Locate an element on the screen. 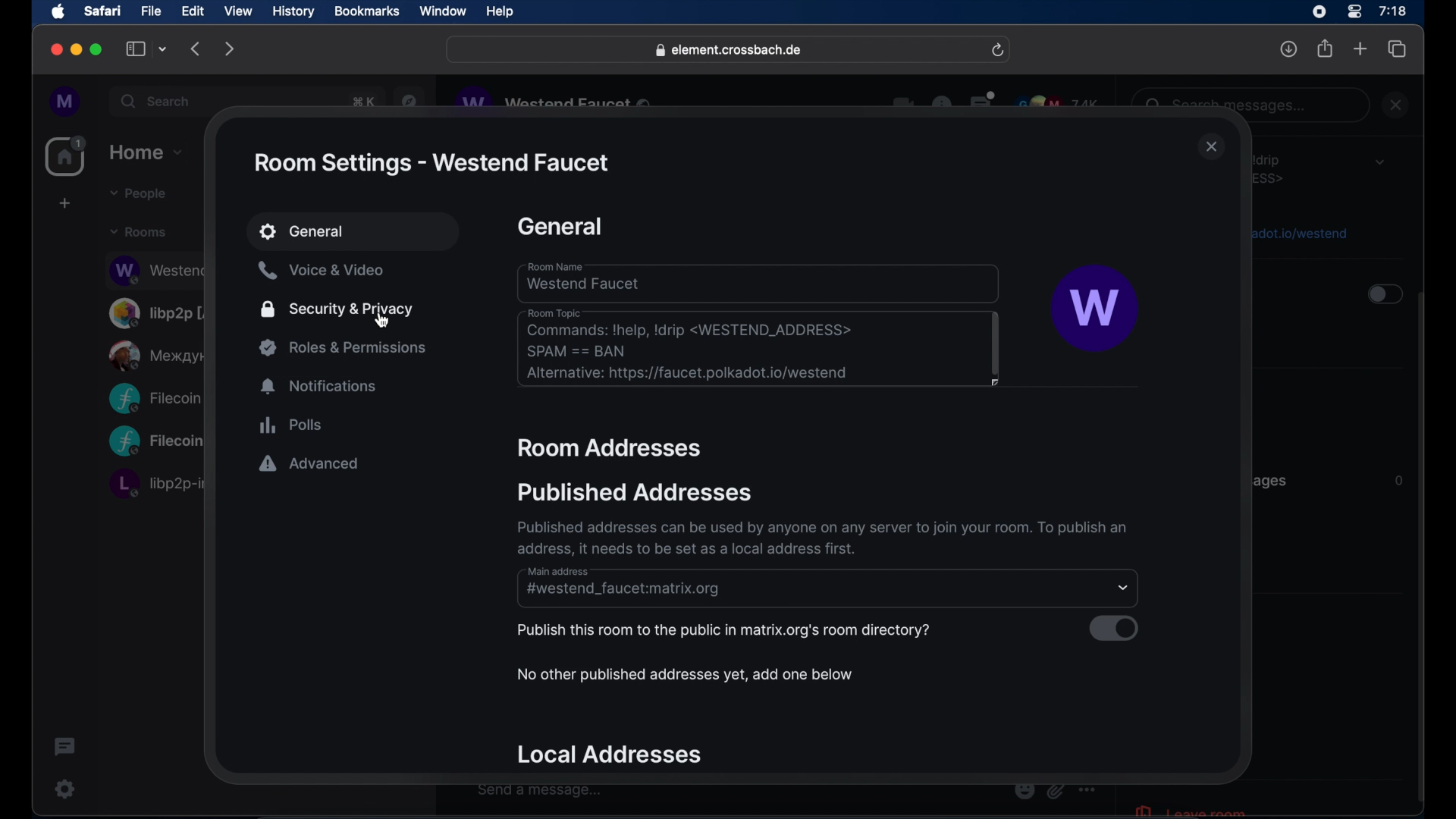  obscure is located at coordinates (556, 101).